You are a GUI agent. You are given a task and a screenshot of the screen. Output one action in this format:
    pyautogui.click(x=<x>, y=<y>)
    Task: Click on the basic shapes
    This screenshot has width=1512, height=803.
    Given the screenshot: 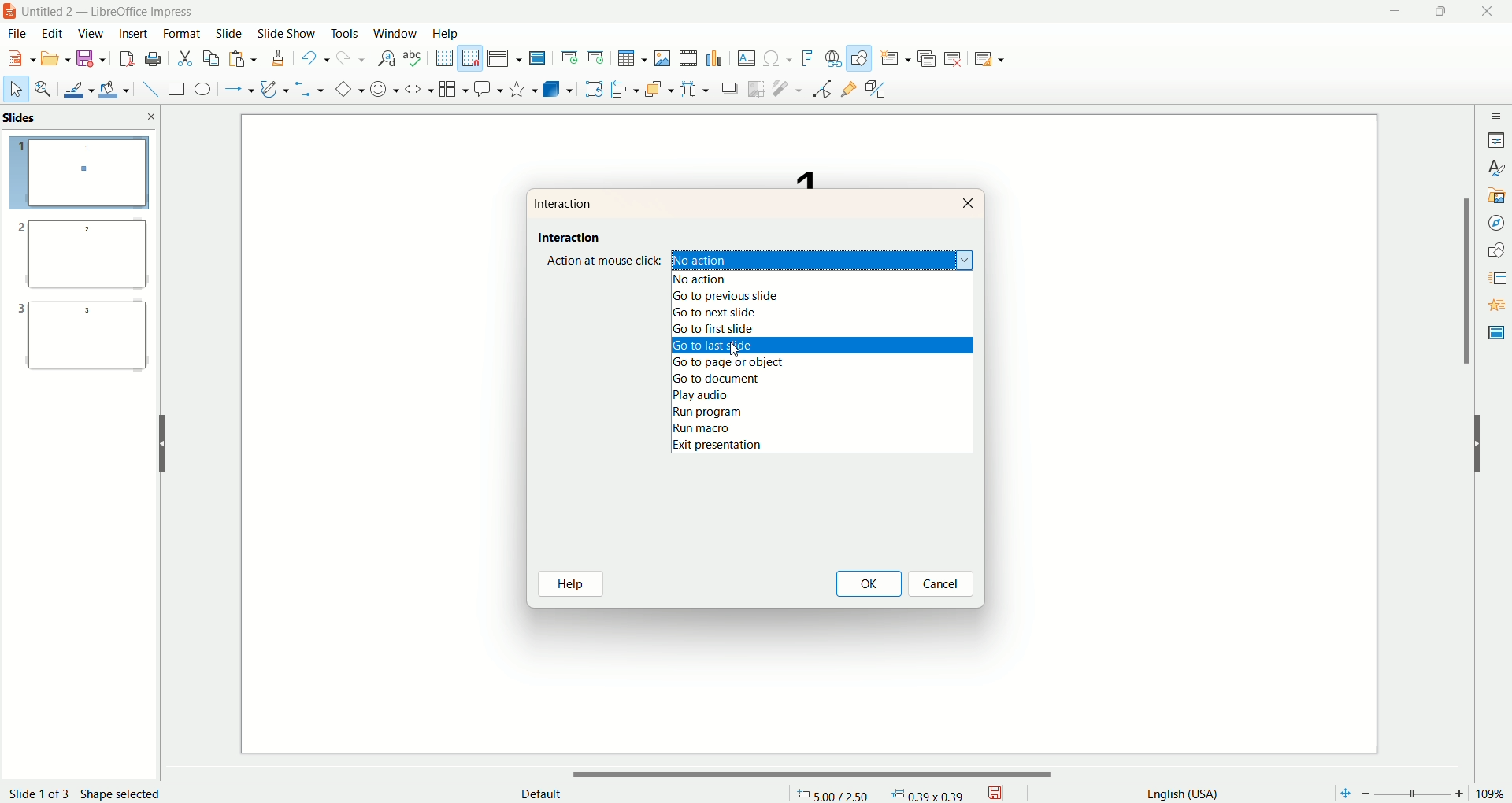 What is the action you would take?
    pyautogui.click(x=346, y=90)
    